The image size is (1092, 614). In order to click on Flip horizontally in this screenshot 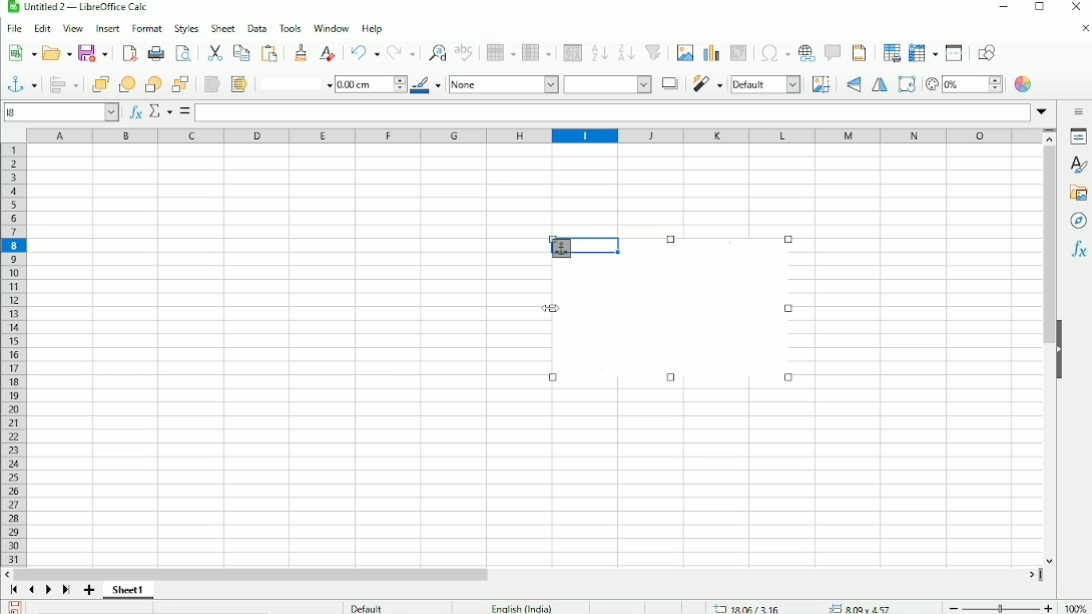, I will do `click(880, 86)`.